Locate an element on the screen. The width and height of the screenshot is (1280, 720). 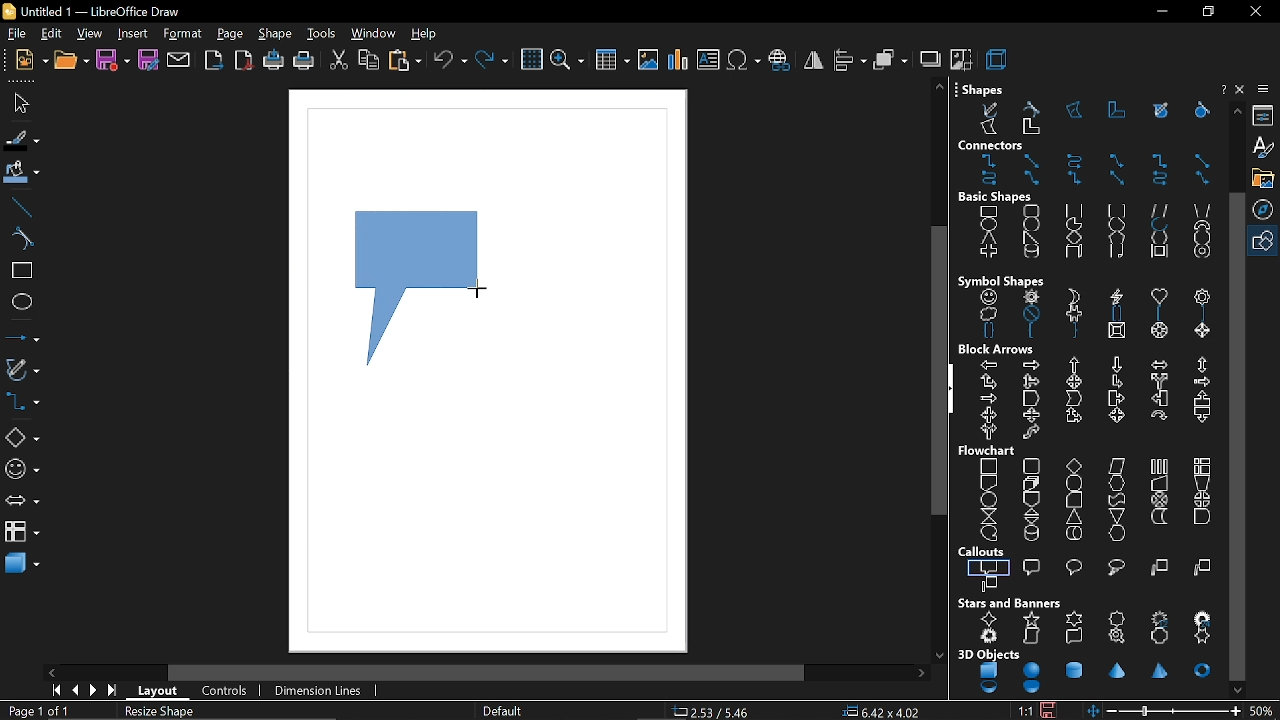
isosceles triangle is located at coordinates (988, 239).